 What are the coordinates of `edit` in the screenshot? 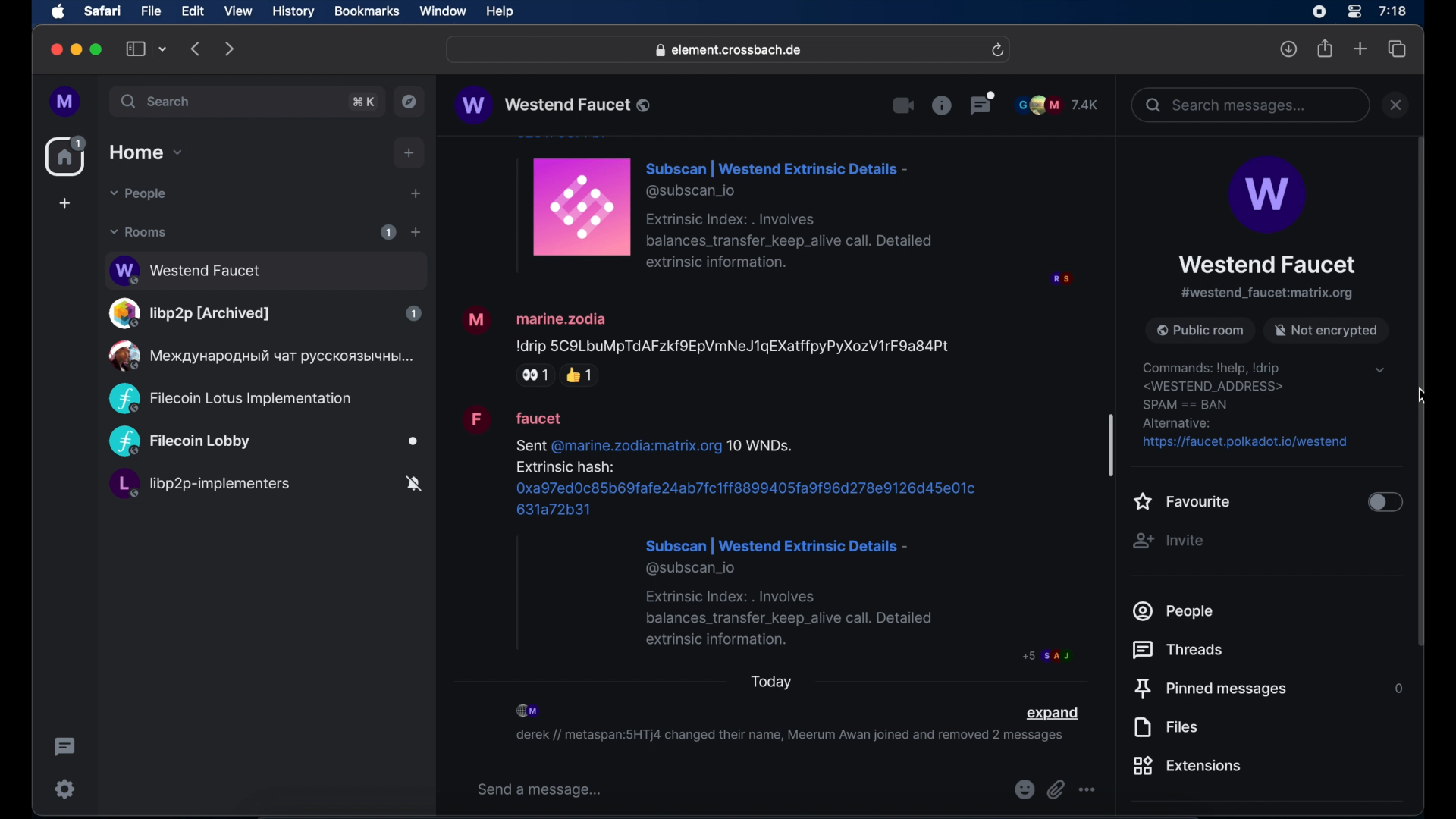 It's located at (193, 11).